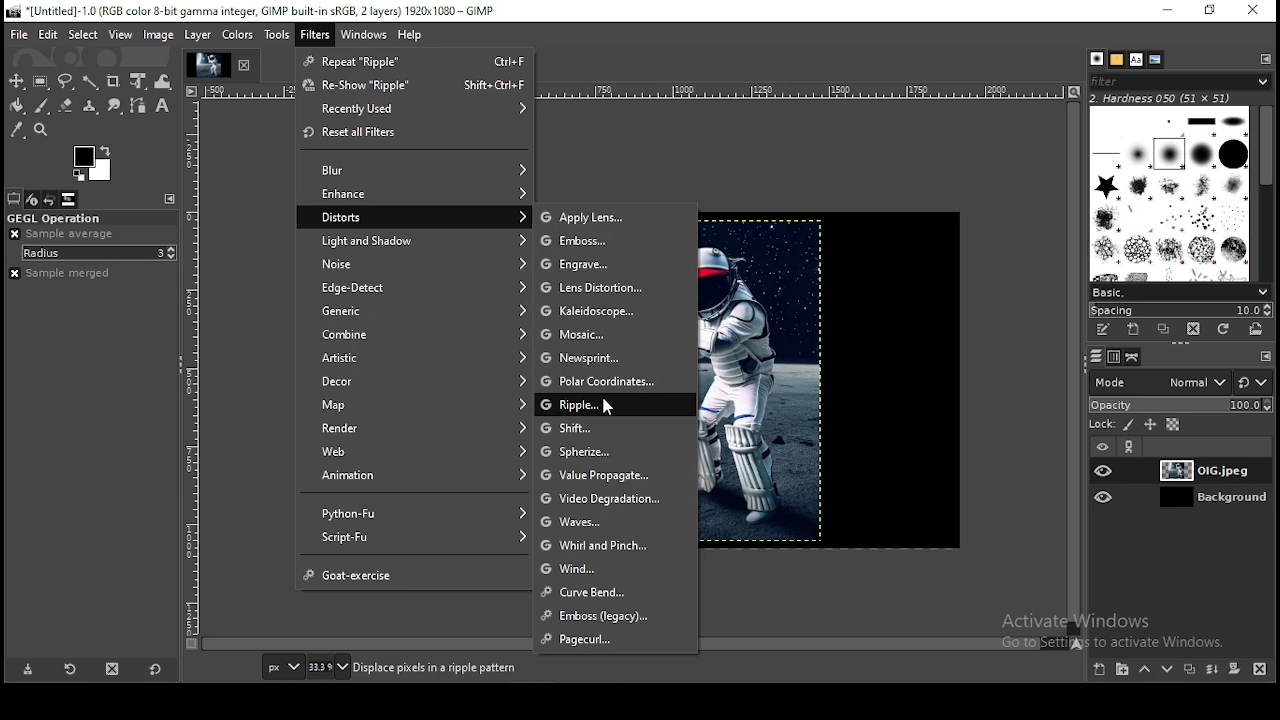 Image resolution: width=1280 pixels, height=720 pixels. What do you see at coordinates (68, 106) in the screenshot?
I see `eraser tool` at bounding box center [68, 106].